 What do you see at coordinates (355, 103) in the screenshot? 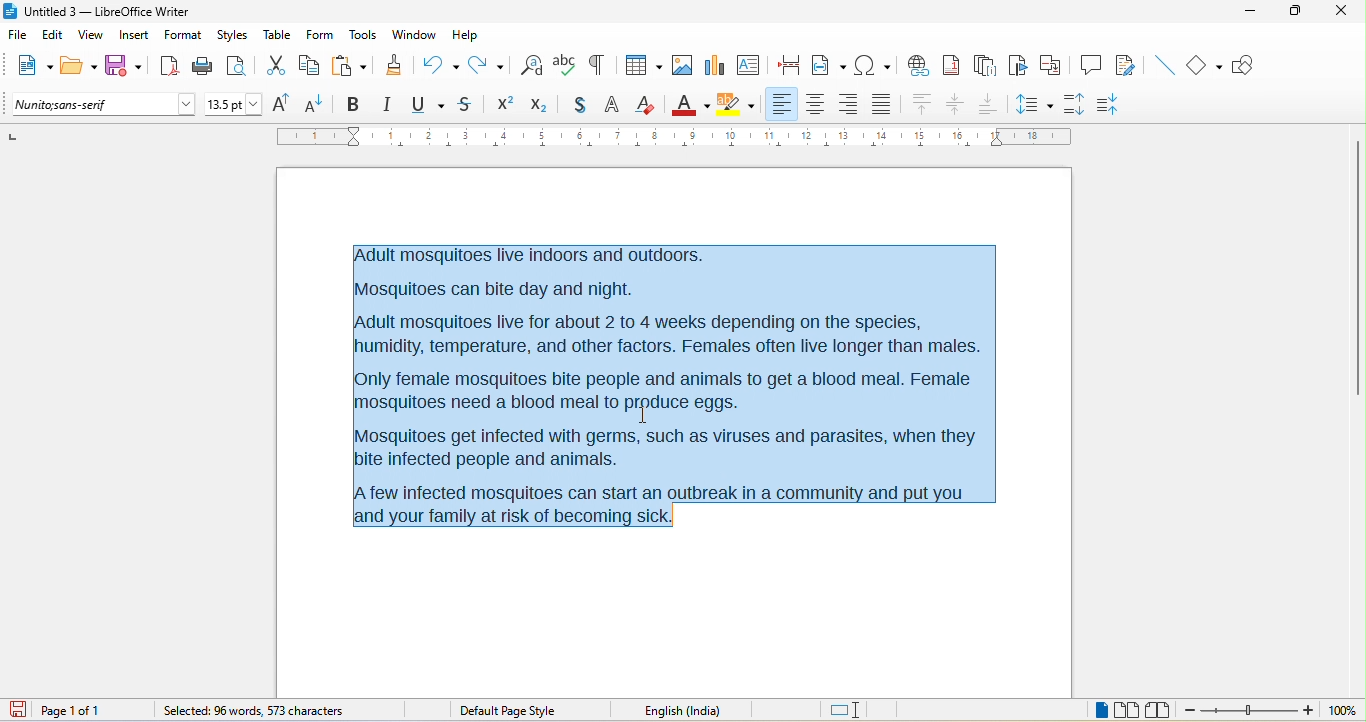
I see `bold` at bounding box center [355, 103].